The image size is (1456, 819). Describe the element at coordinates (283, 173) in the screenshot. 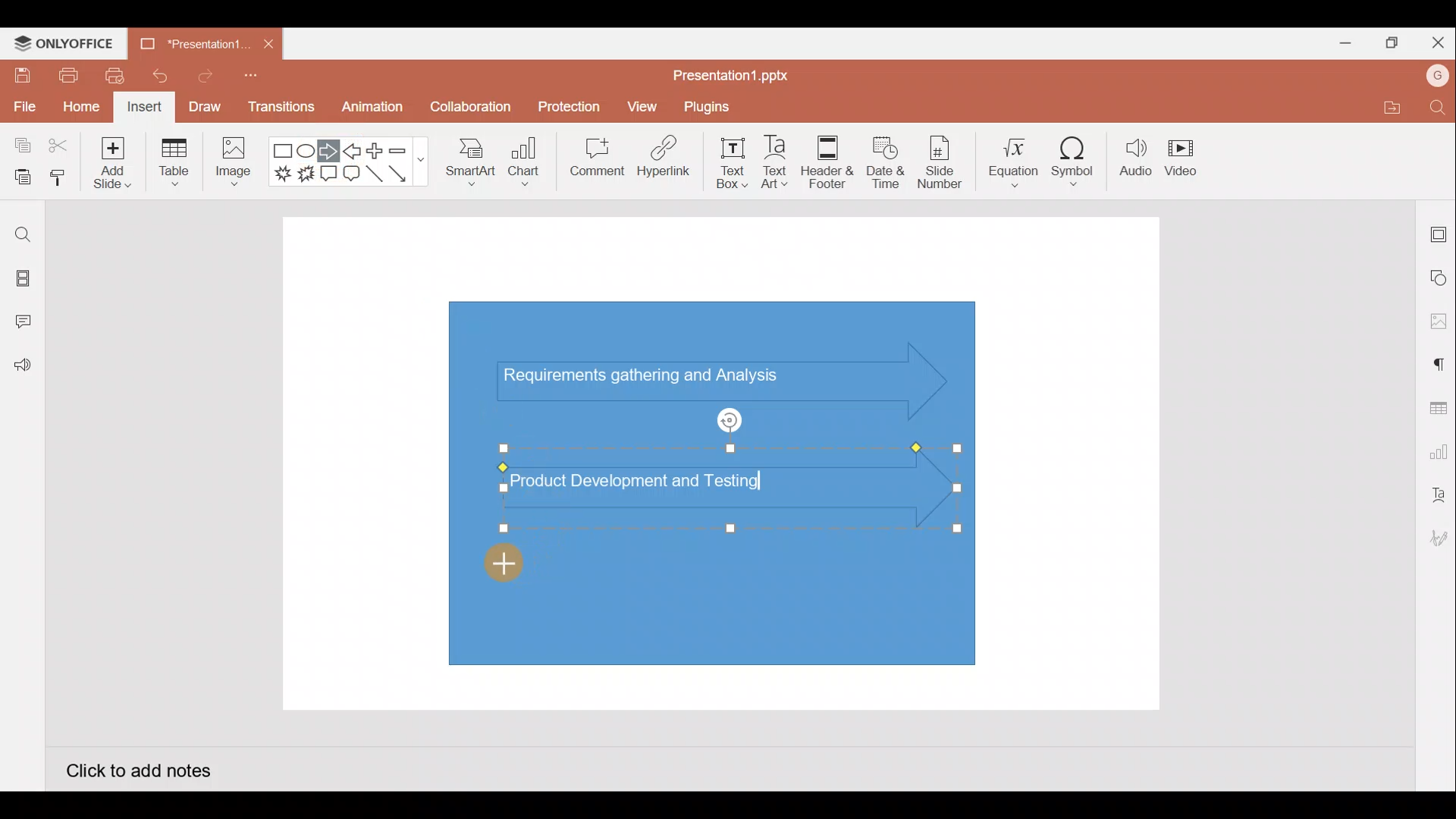

I see `Explosion 1` at that location.